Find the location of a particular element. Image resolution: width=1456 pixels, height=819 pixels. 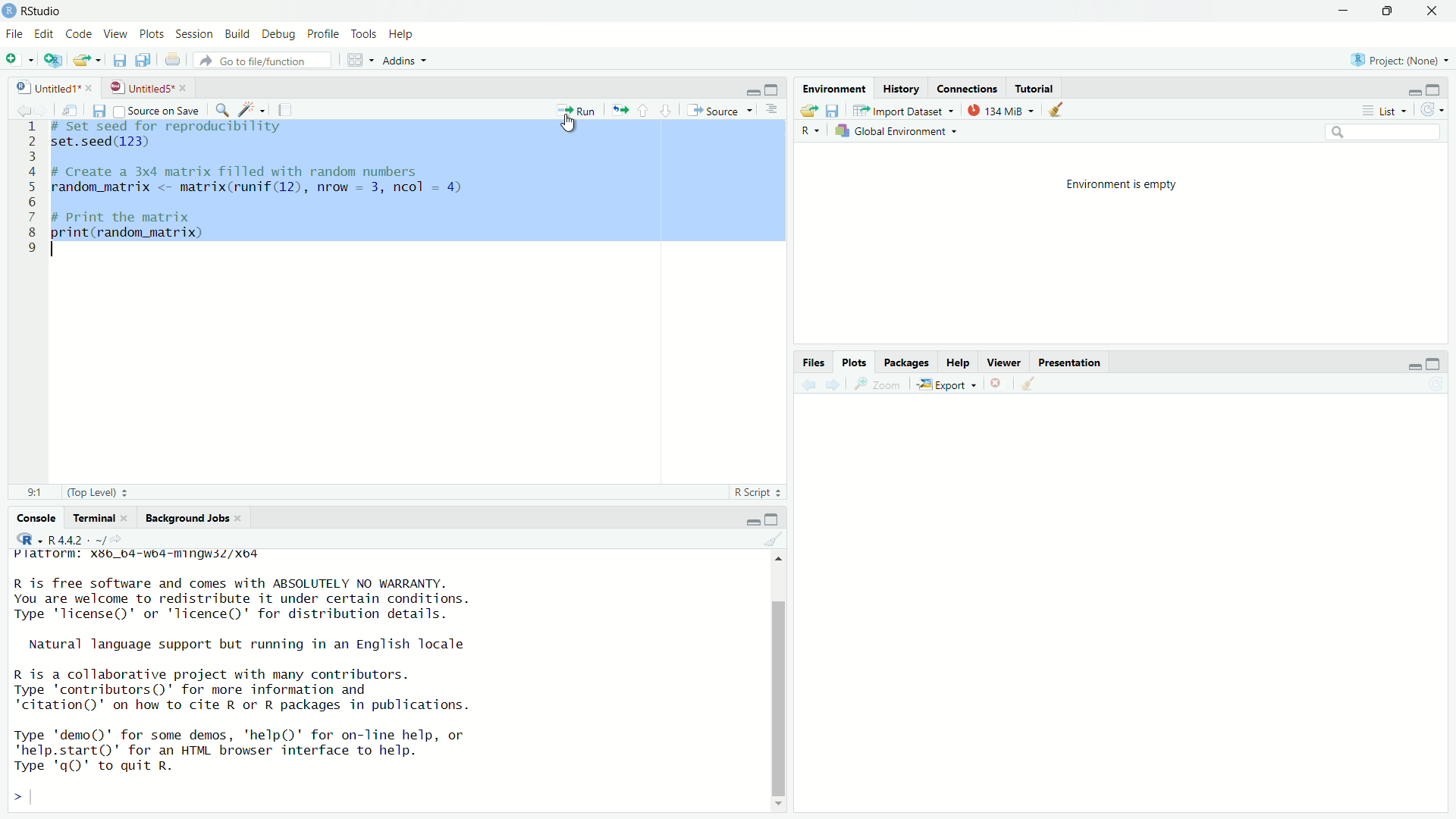

minimise is located at coordinates (745, 91).